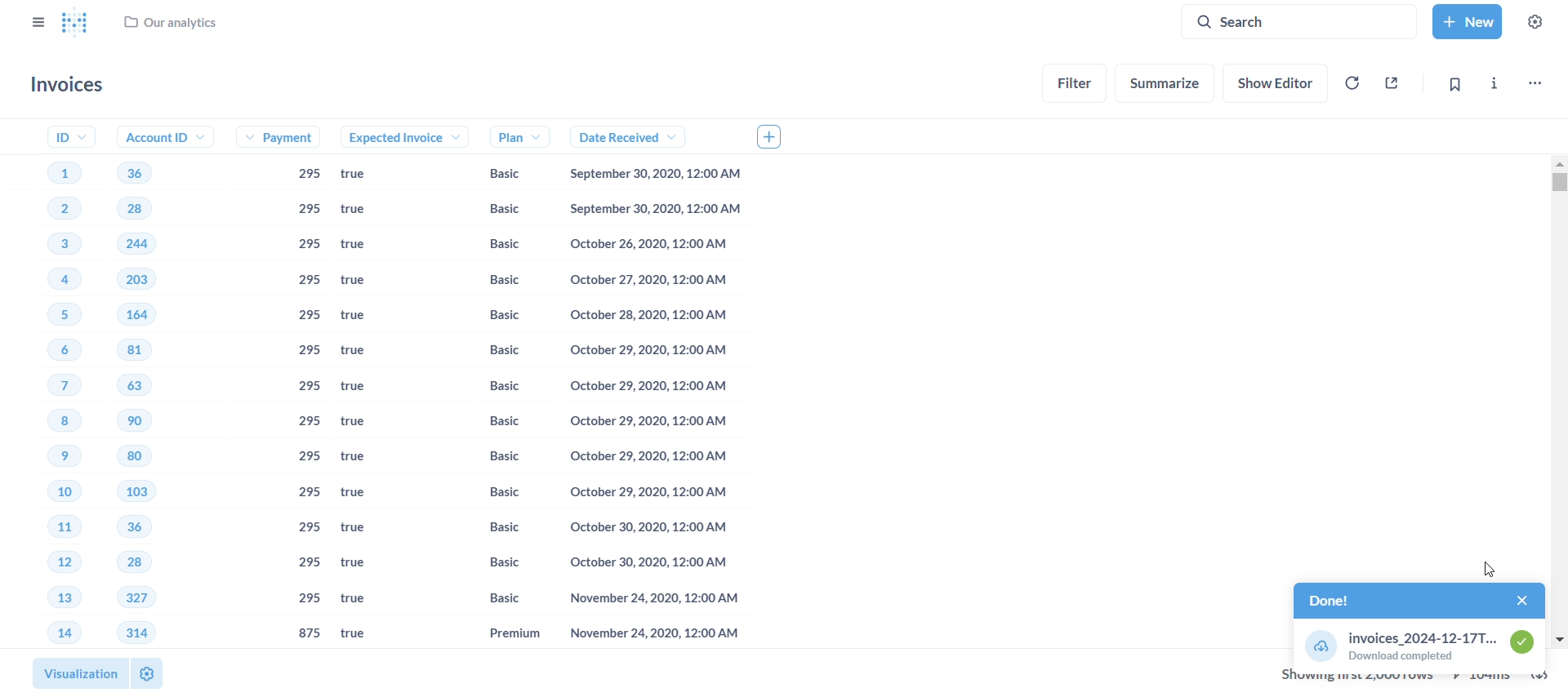 Image resolution: width=1568 pixels, height=697 pixels. I want to click on invoices, so click(71, 85).